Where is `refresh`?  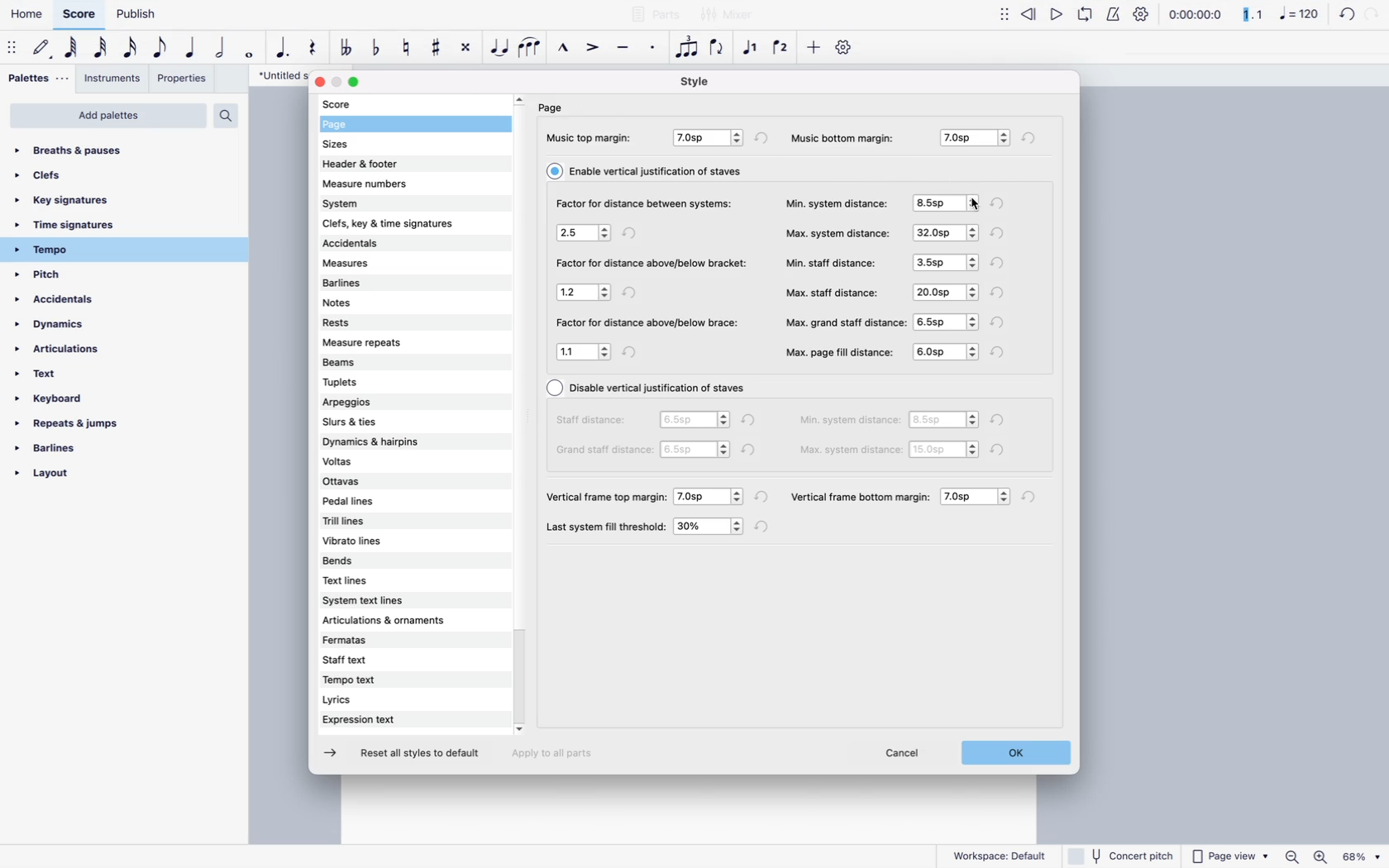
refresh is located at coordinates (632, 292).